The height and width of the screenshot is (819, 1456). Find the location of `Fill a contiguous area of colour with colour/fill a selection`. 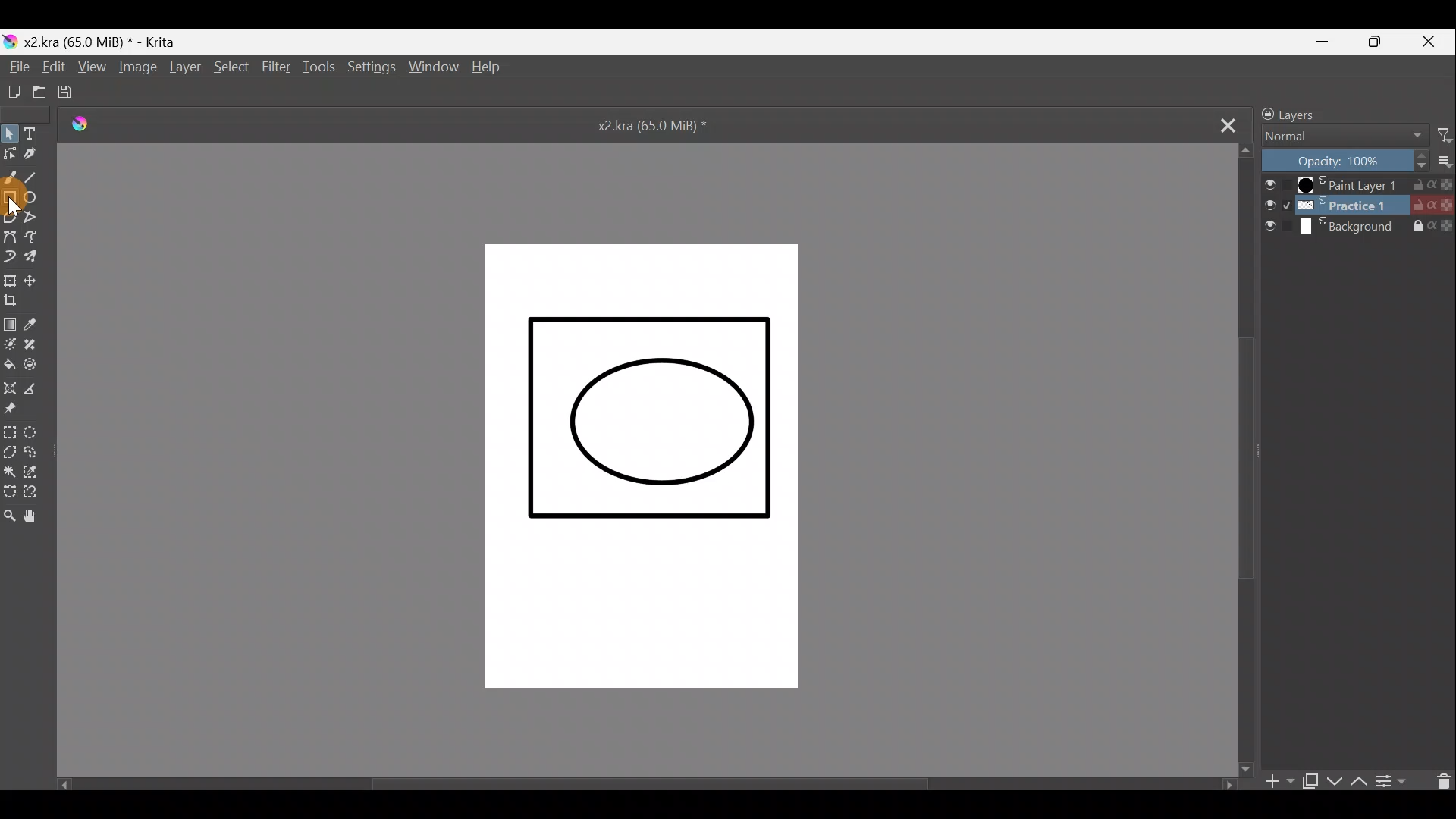

Fill a contiguous area of colour with colour/fill a selection is located at coordinates (11, 364).